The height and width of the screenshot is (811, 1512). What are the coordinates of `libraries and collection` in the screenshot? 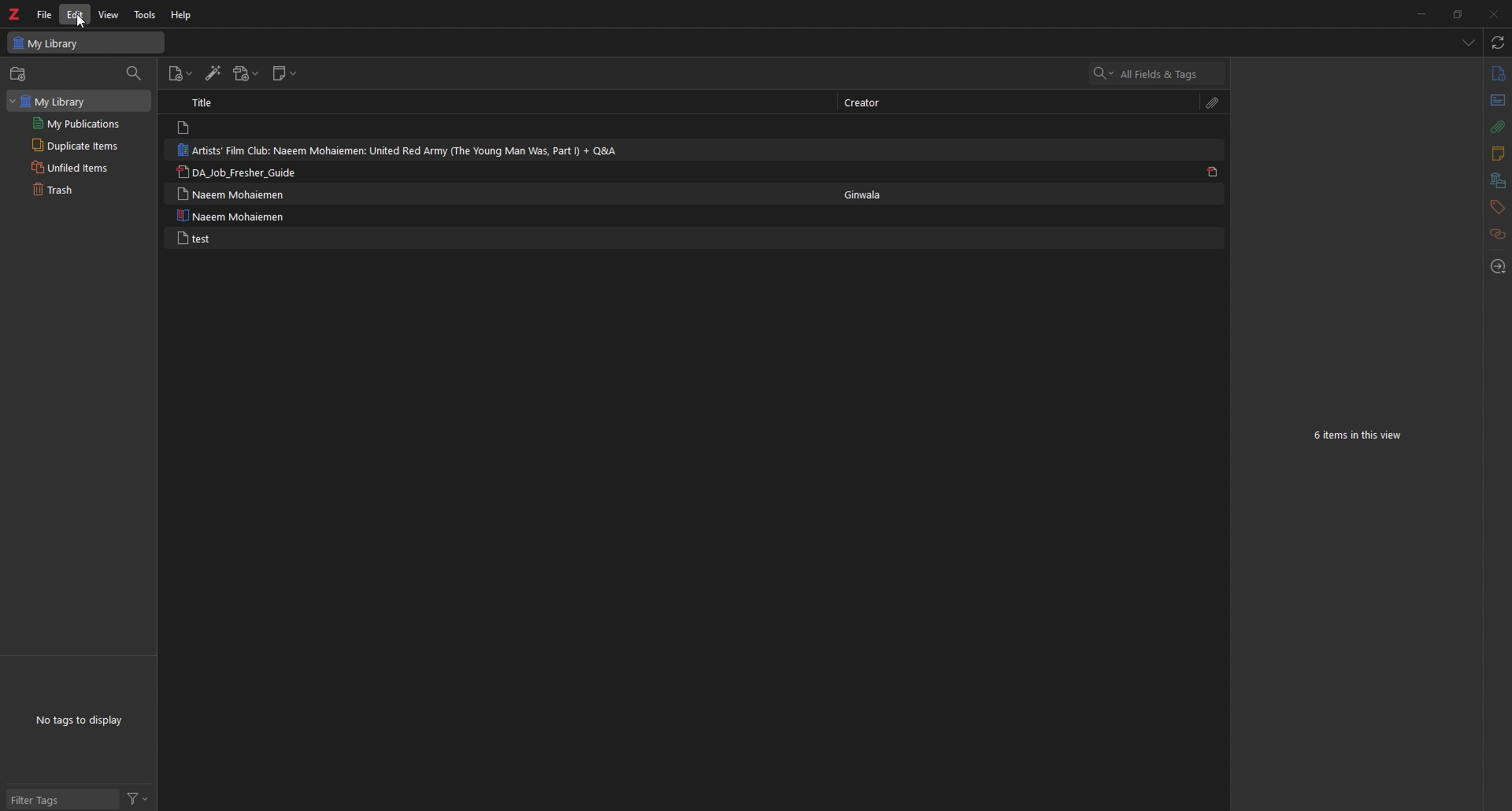 It's located at (1497, 181).